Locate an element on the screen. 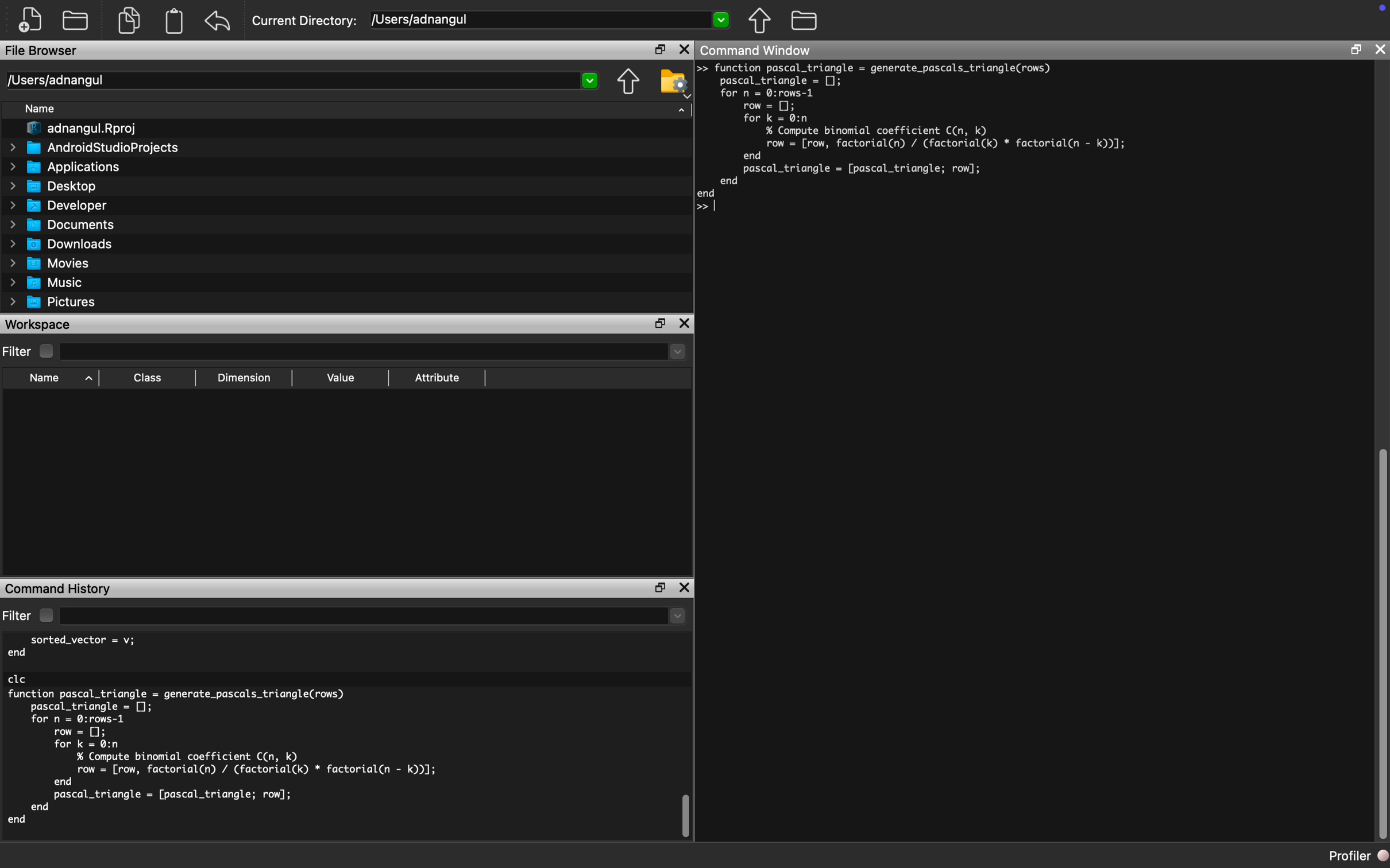 This screenshot has width=1390, height=868. AndroidStudioProjects is located at coordinates (92, 148).